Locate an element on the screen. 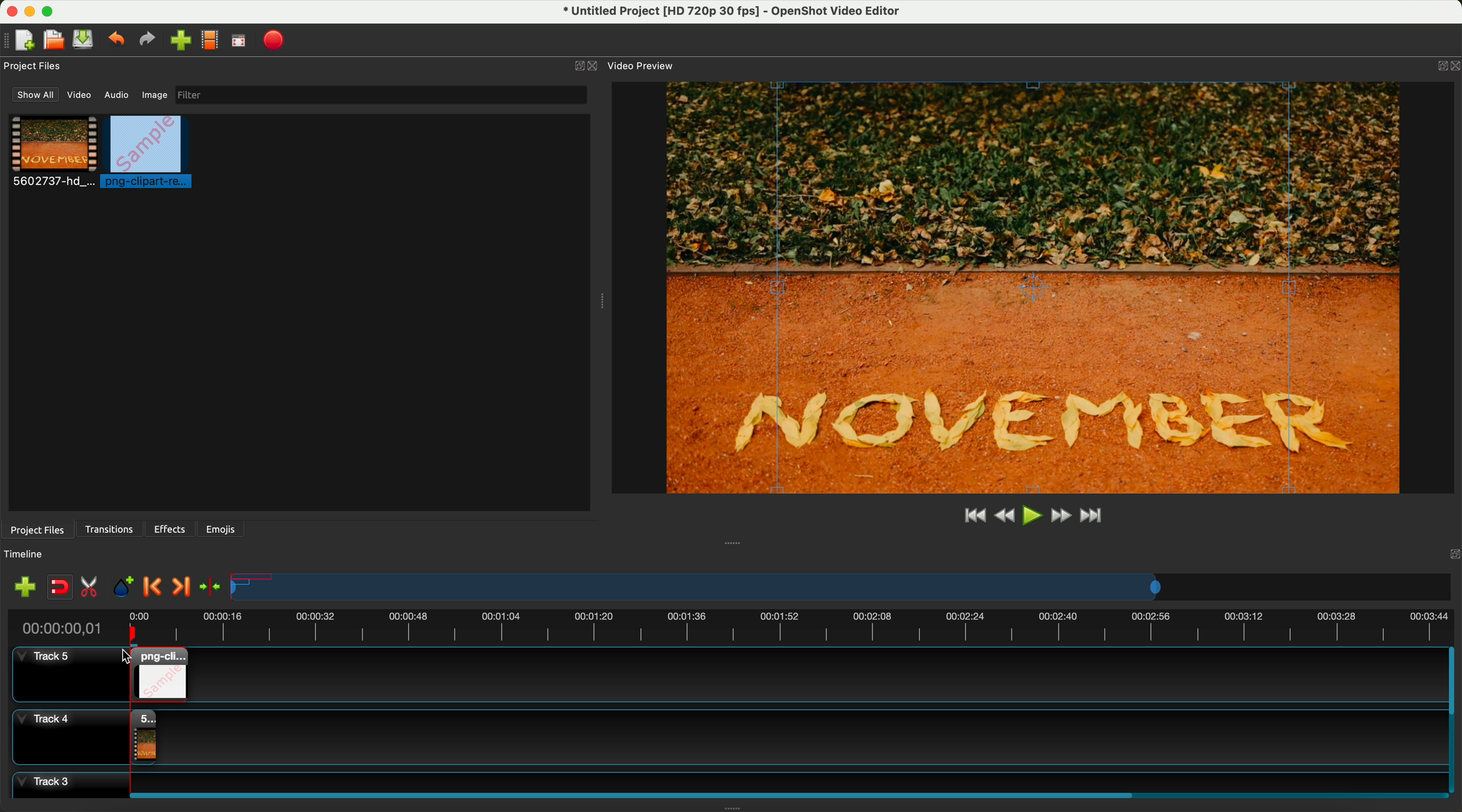 This screenshot has width=1462, height=812. click on import files is located at coordinates (183, 41).